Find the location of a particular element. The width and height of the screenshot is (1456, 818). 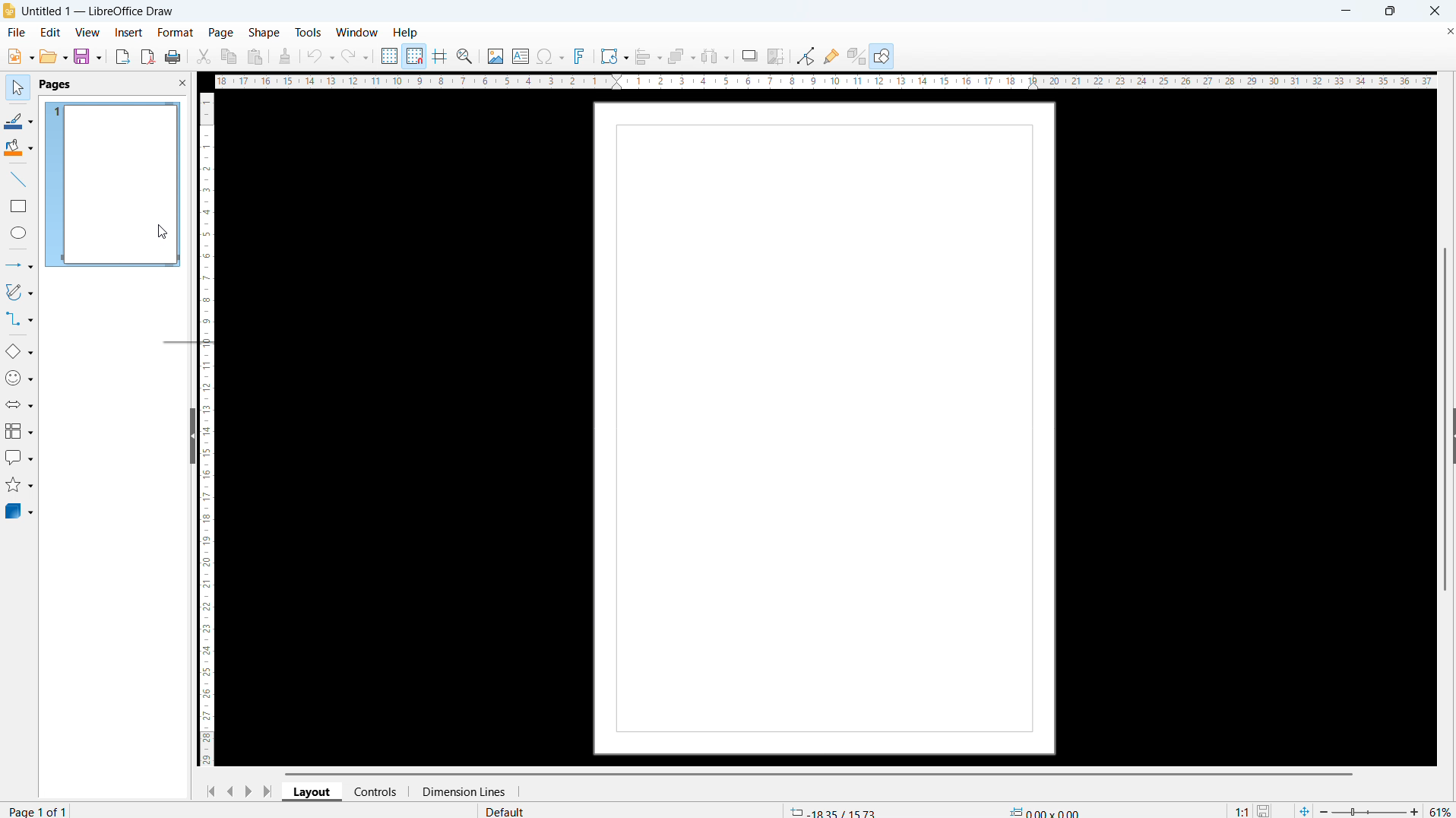

toggle point edit mode is located at coordinates (806, 55).